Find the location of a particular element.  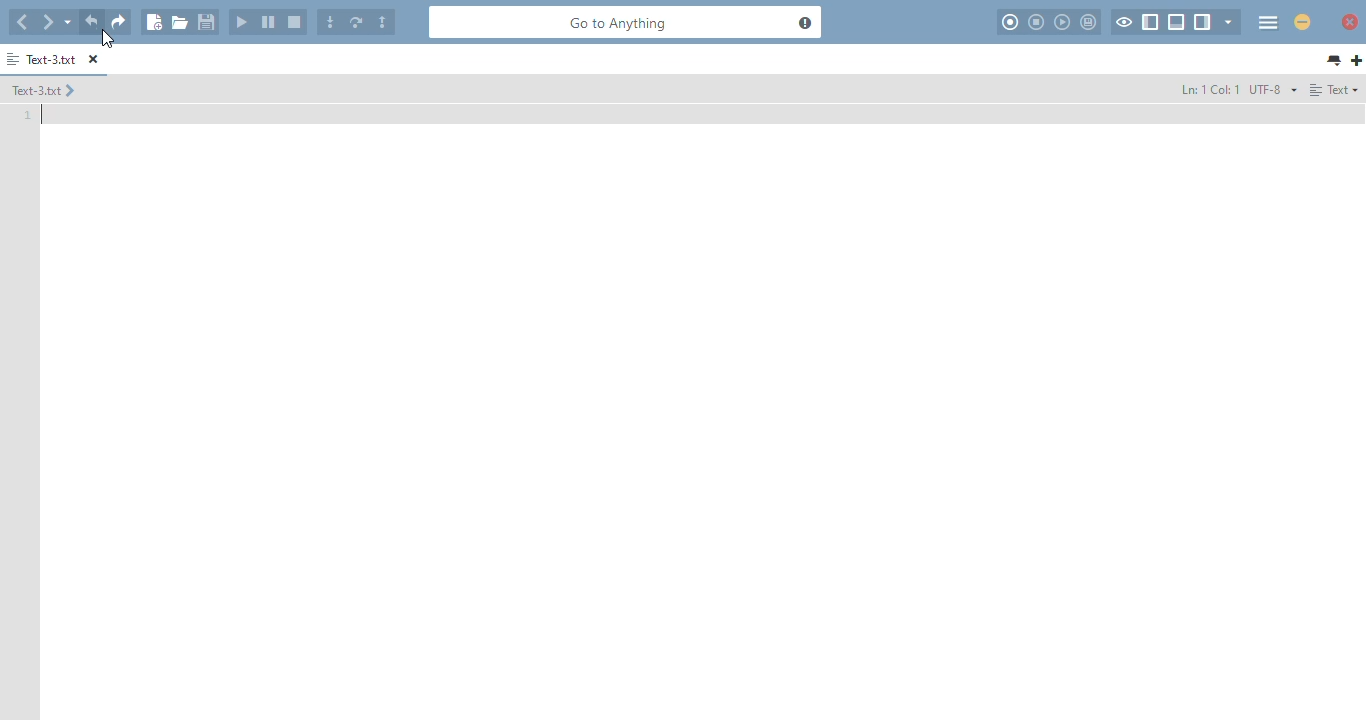

pause the currently running application is located at coordinates (268, 22).